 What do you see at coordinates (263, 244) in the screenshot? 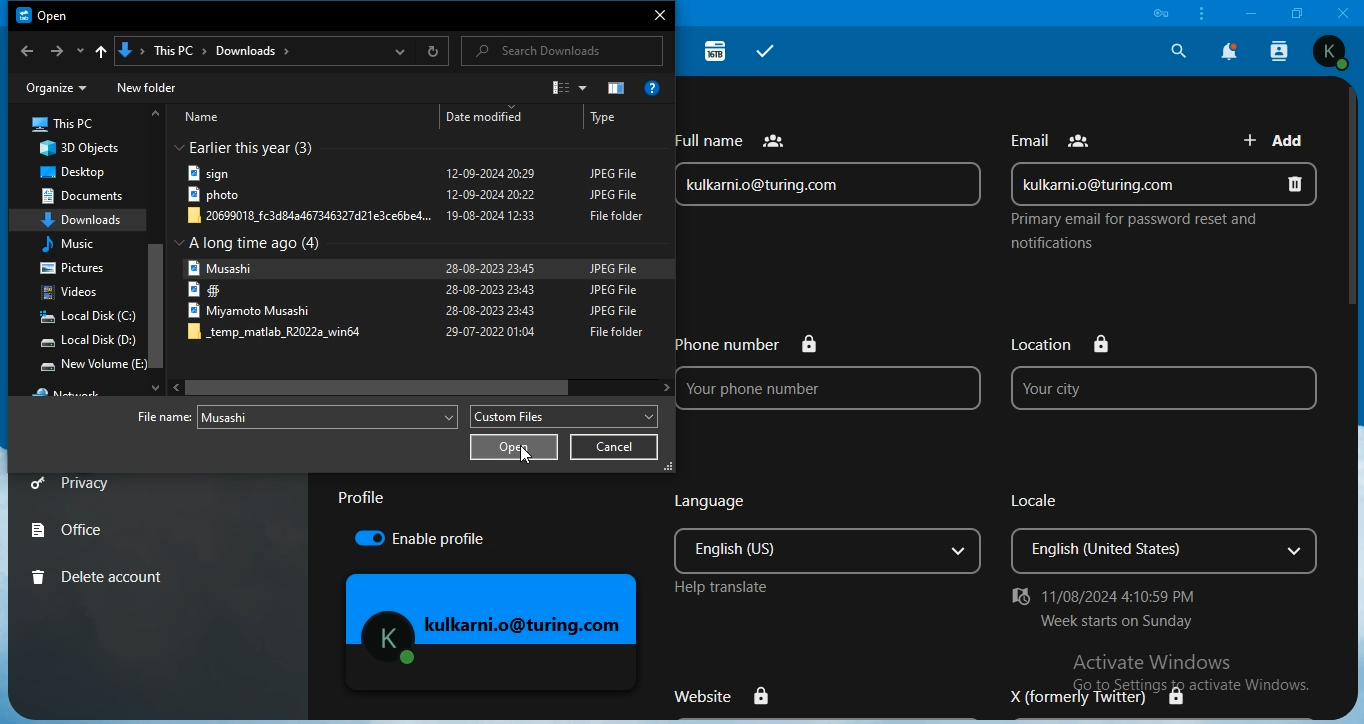
I see `text` at bounding box center [263, 244].